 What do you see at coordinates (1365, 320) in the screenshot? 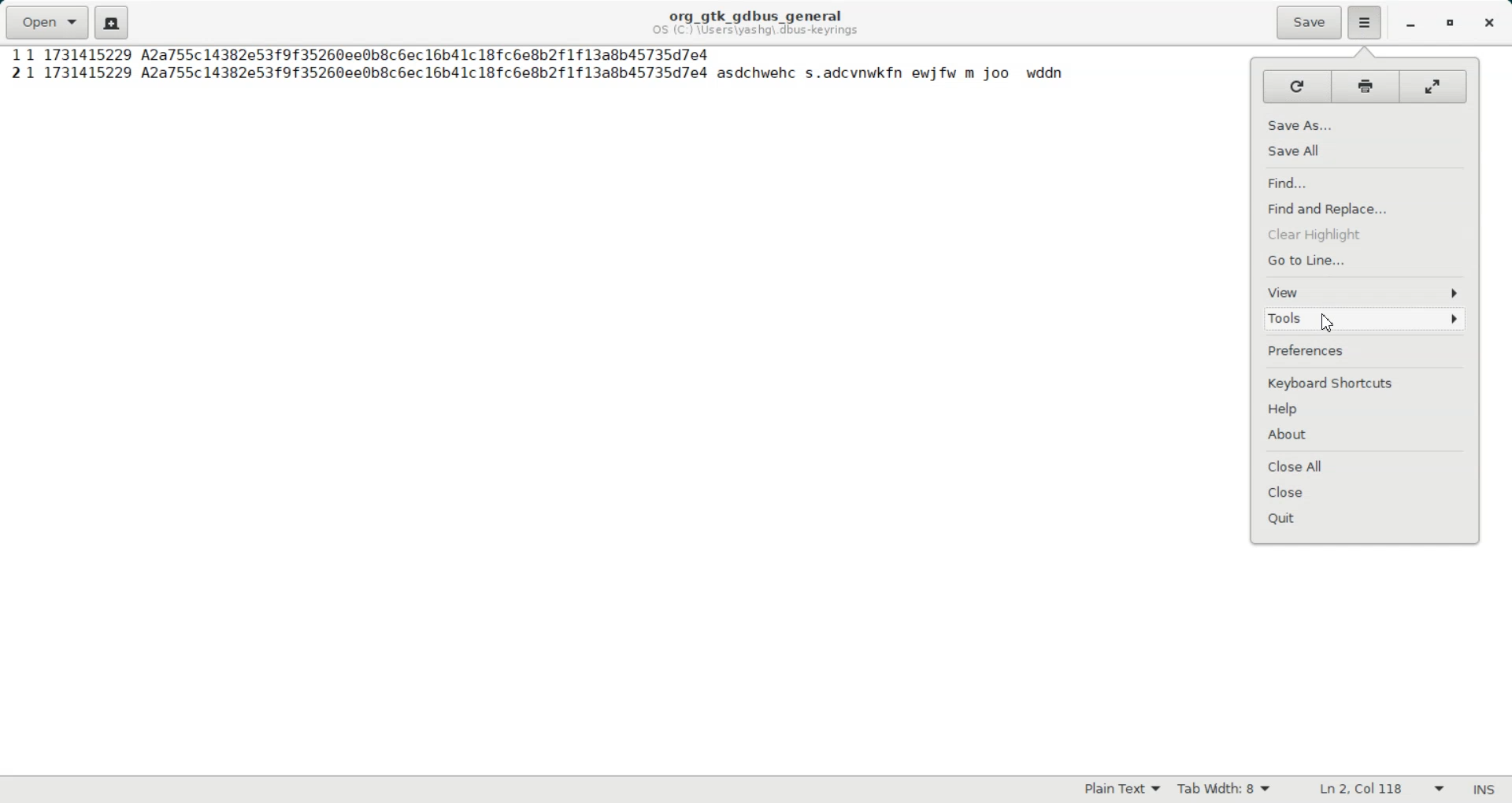
I see `Tools` at bounding box center [1365, 320].